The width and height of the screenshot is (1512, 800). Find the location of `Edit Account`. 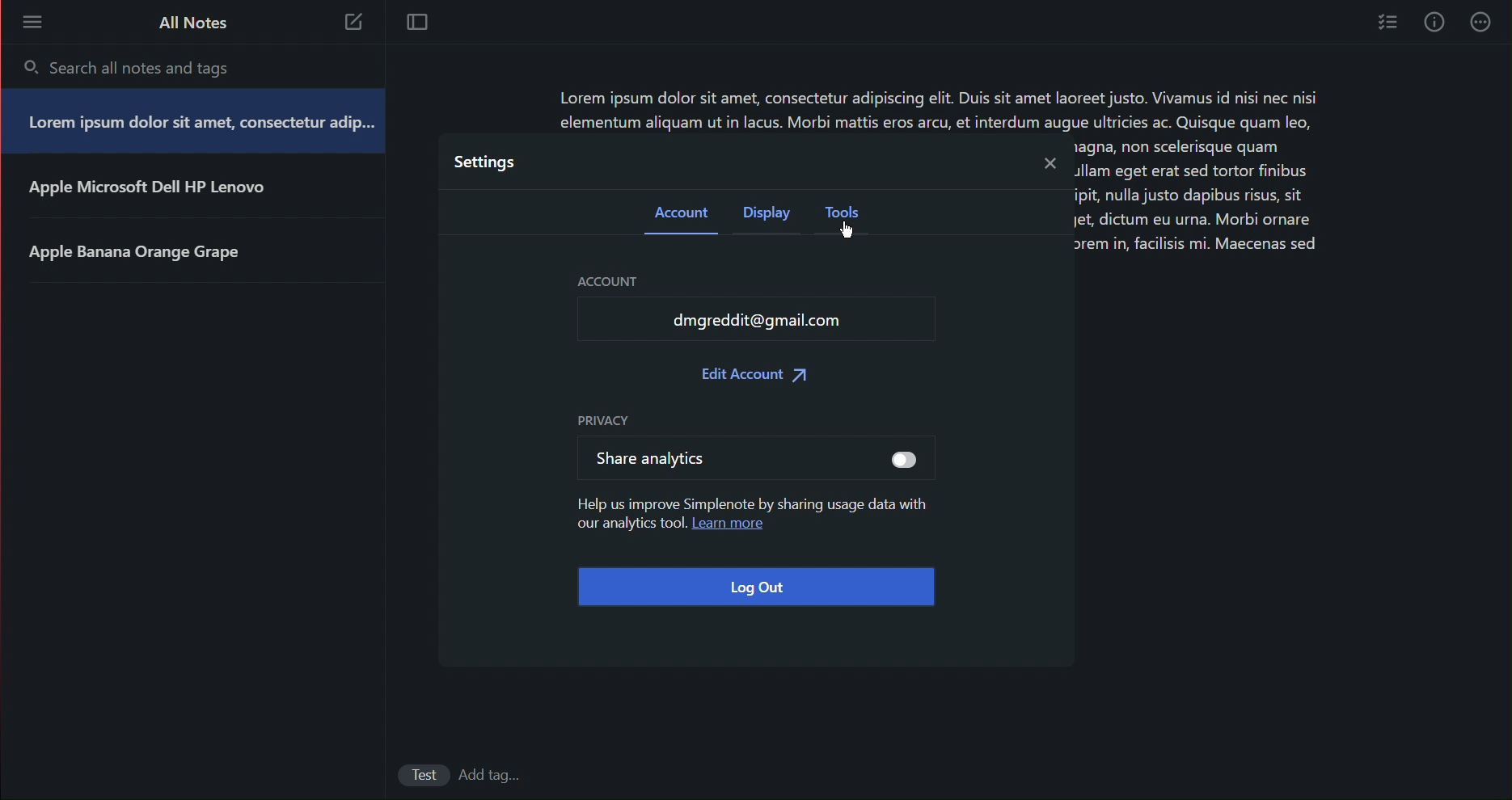

Edit Account is located at coordinates (754, 377).